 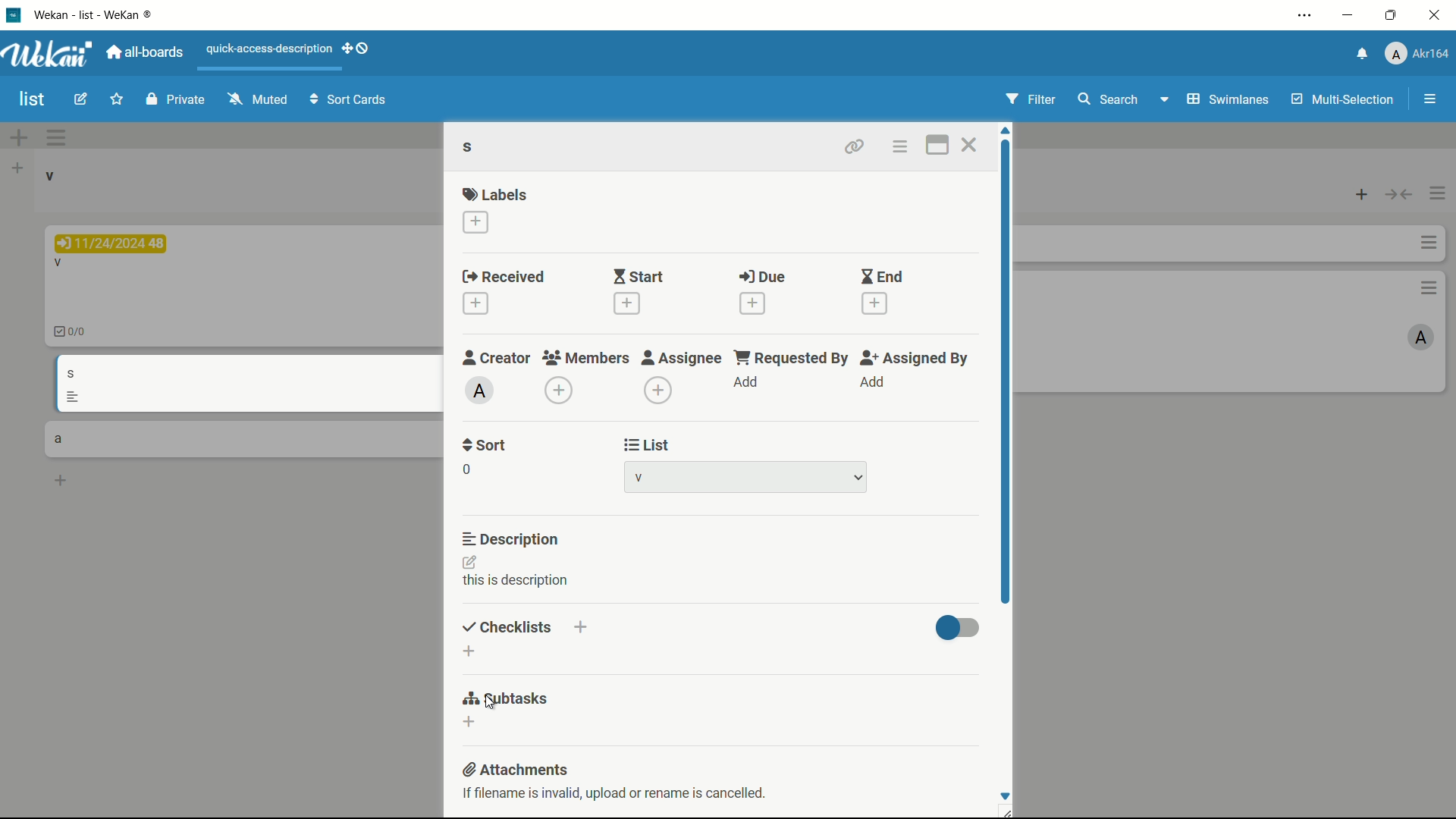 I want to click on add checklist, so click(x=469, y=652).